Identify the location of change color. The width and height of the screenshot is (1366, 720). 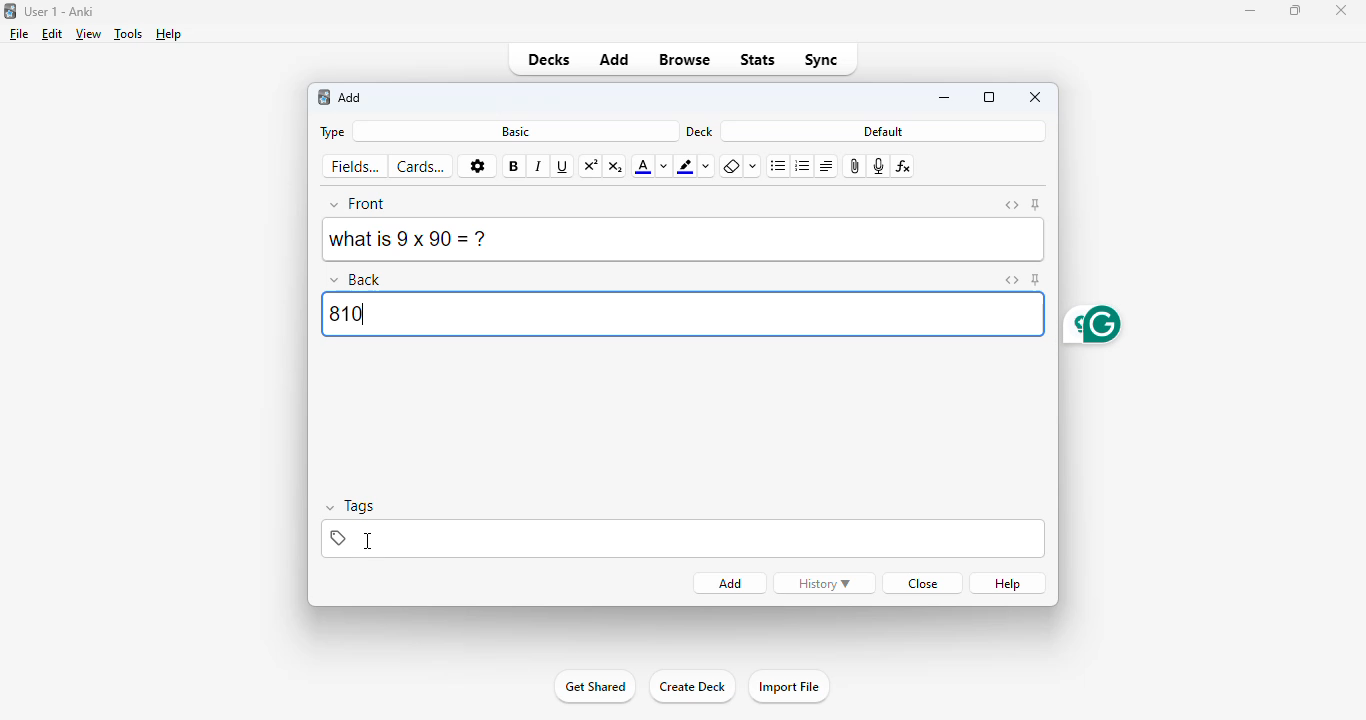
(709, 167).